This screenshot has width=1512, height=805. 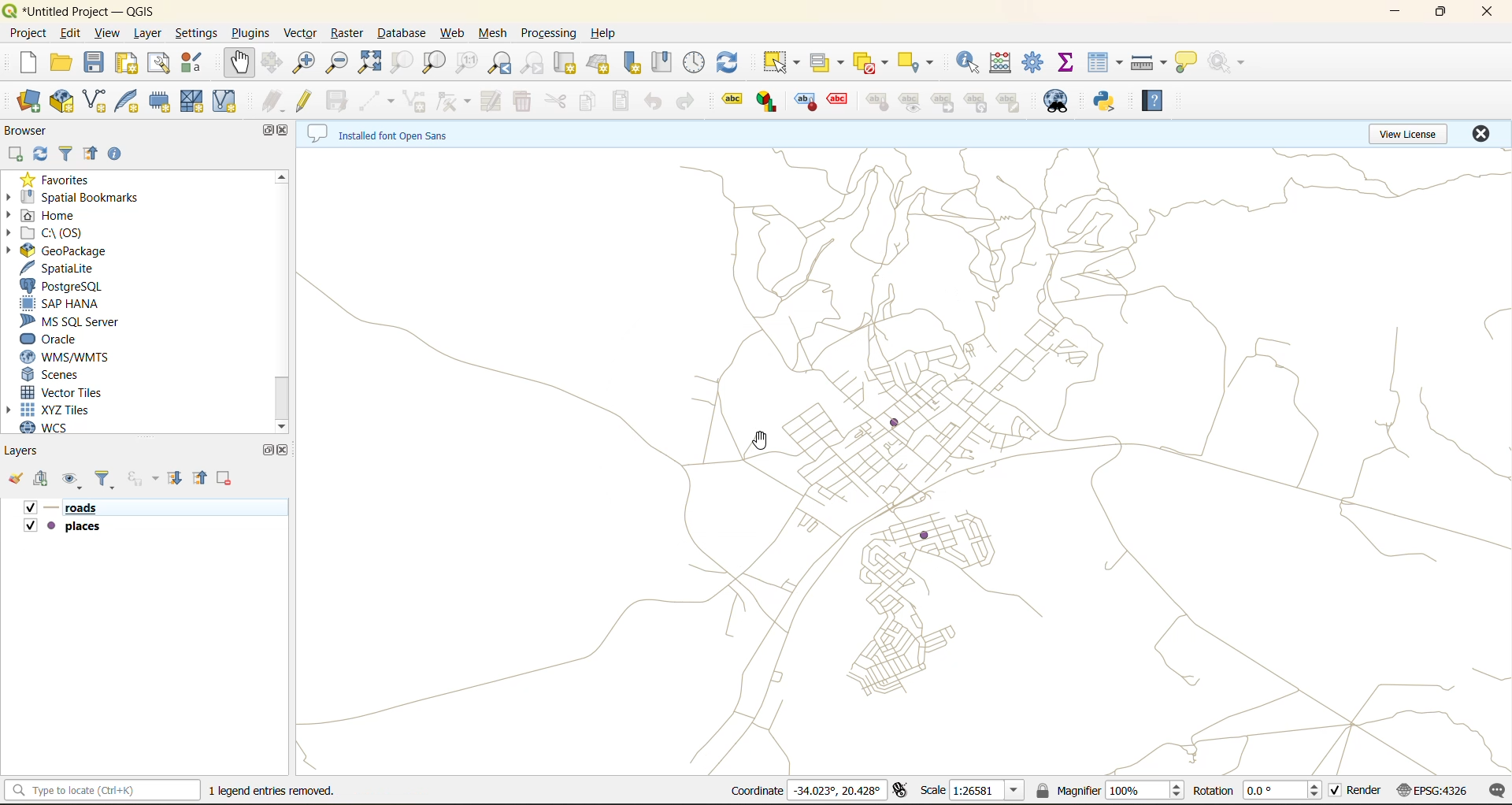 What do you see at coordinates (239, 63) in the screenshot?
I see `pan map` at bounding box center [239, 63].